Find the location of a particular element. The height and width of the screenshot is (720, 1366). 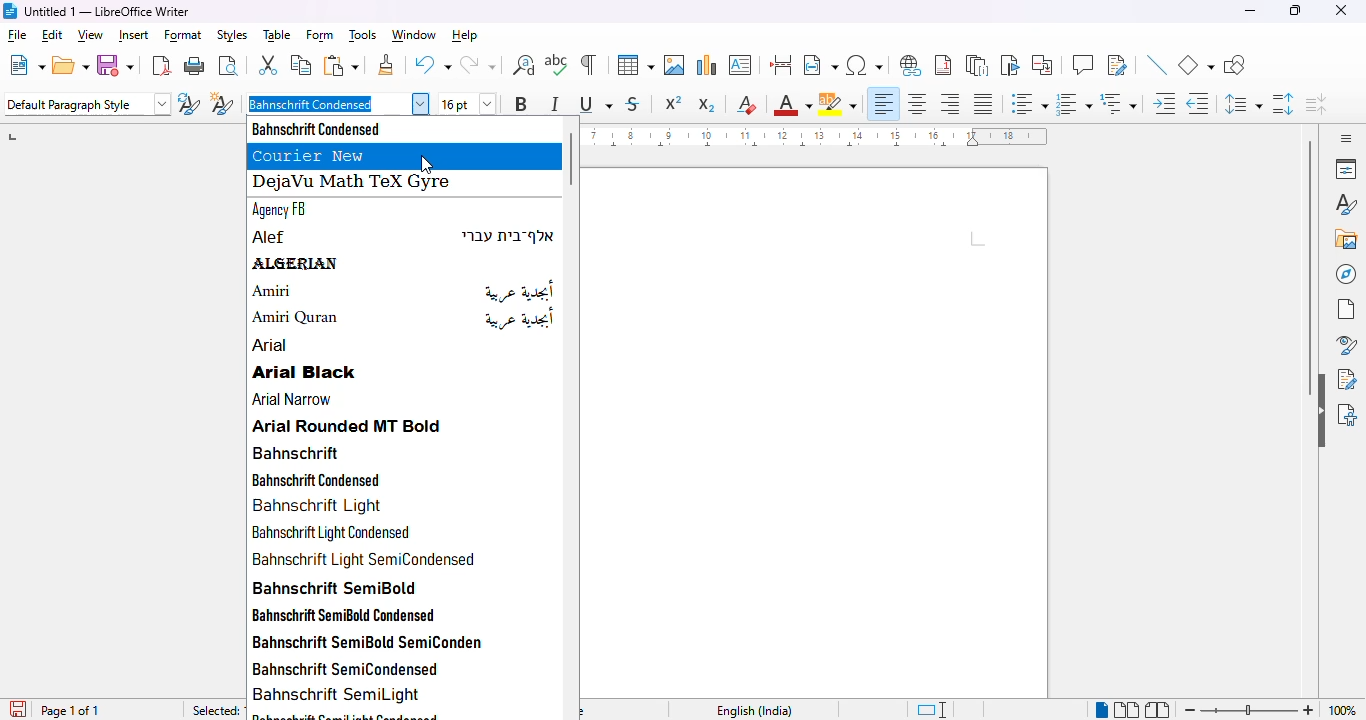

insert table is located at coordinates (636, 64).